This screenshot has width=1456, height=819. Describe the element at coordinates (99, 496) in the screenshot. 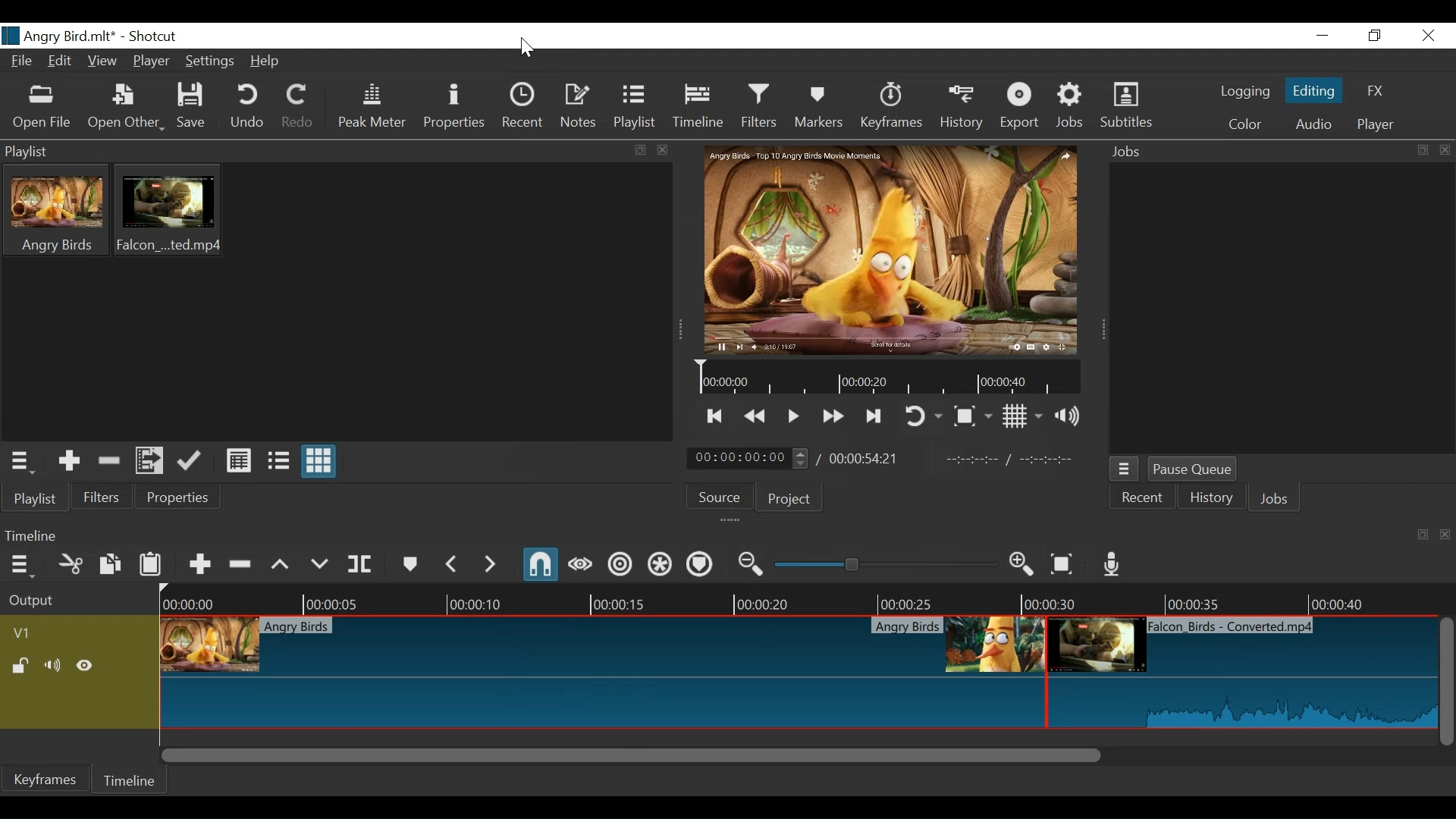

I see `Filters` at that location.